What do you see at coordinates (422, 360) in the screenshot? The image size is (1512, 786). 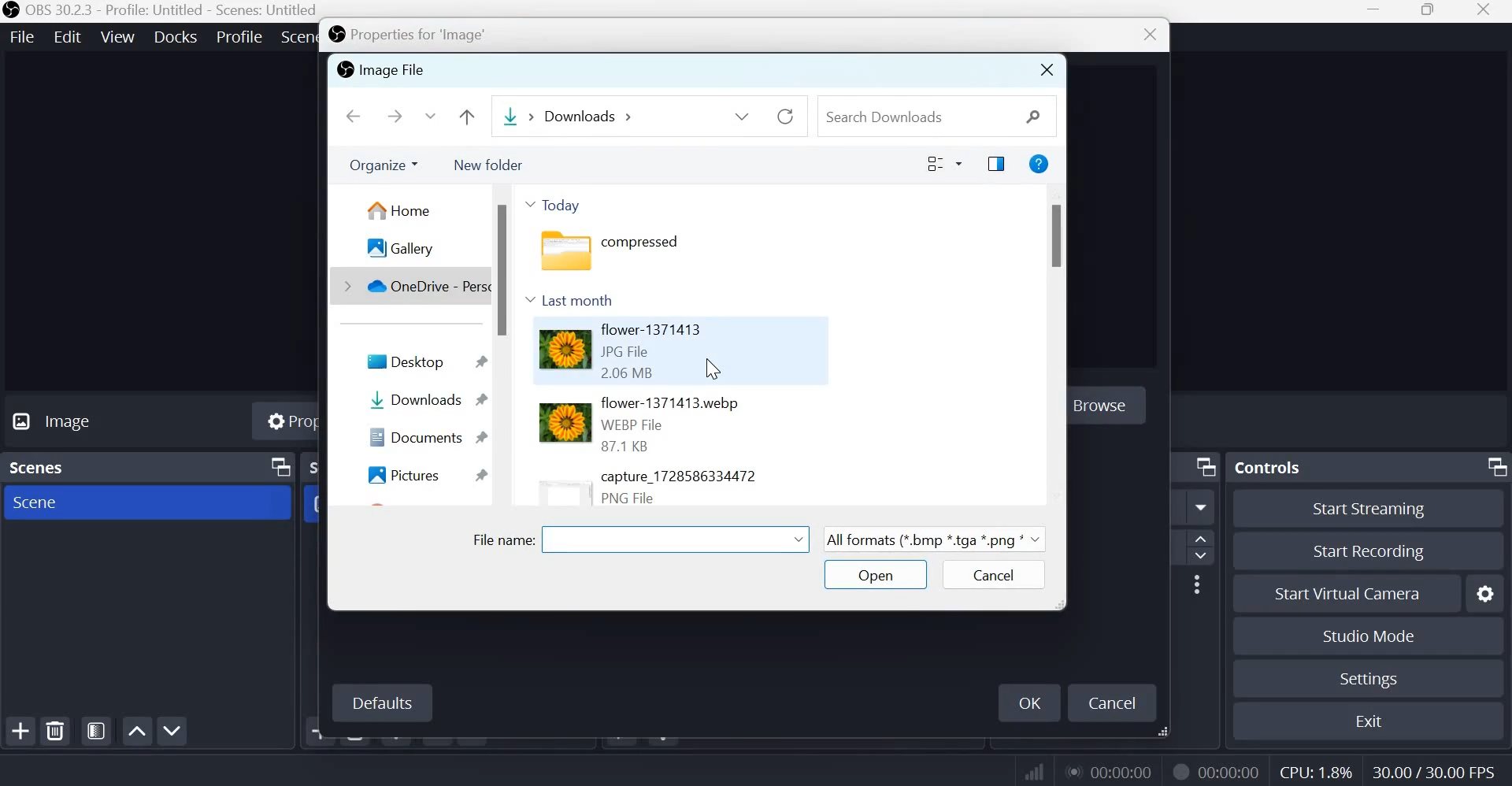 I see `desktop` at bounding box center [422, 360].